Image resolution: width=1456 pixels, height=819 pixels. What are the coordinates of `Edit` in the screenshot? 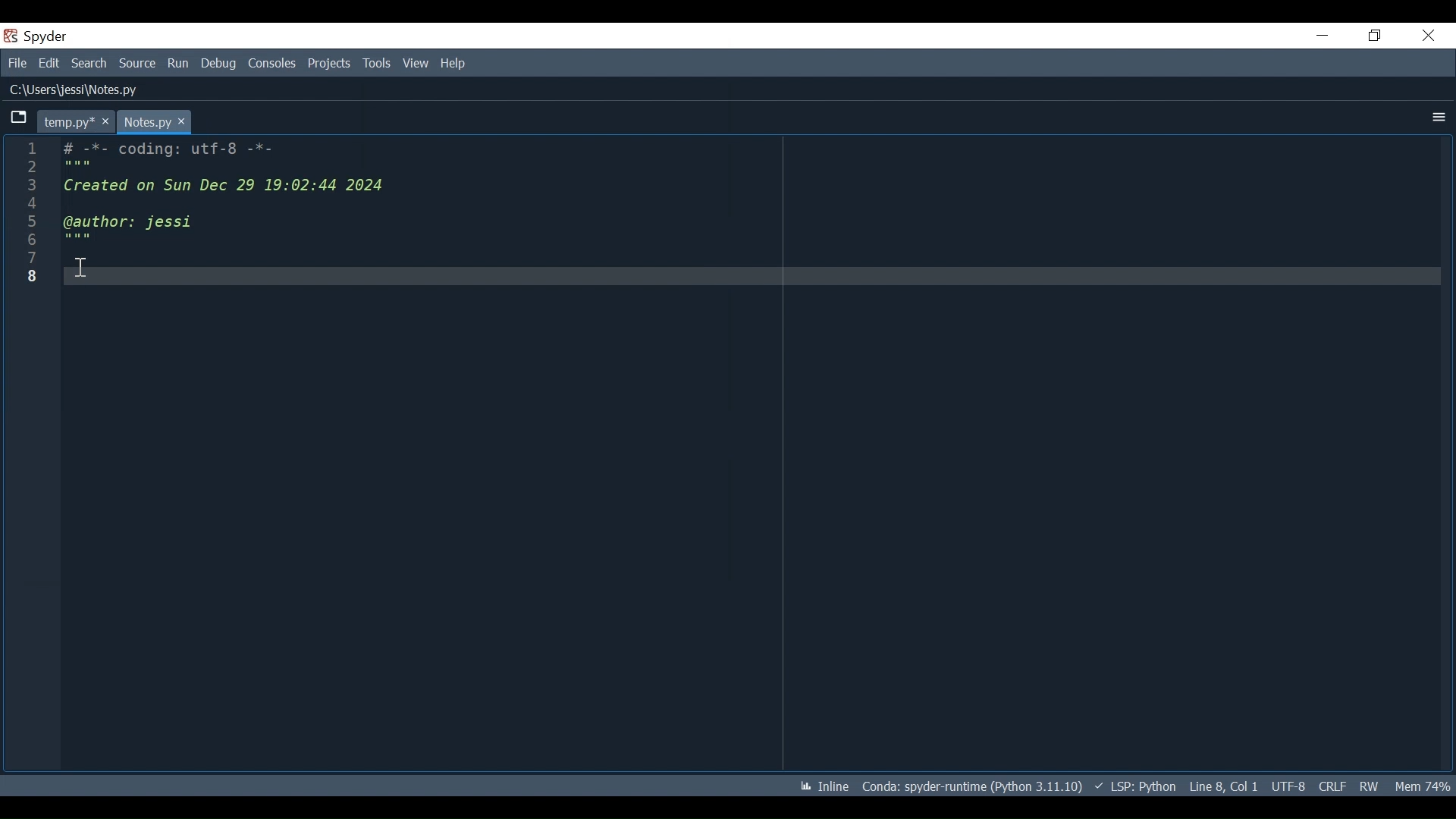 It's located at (49, 64).